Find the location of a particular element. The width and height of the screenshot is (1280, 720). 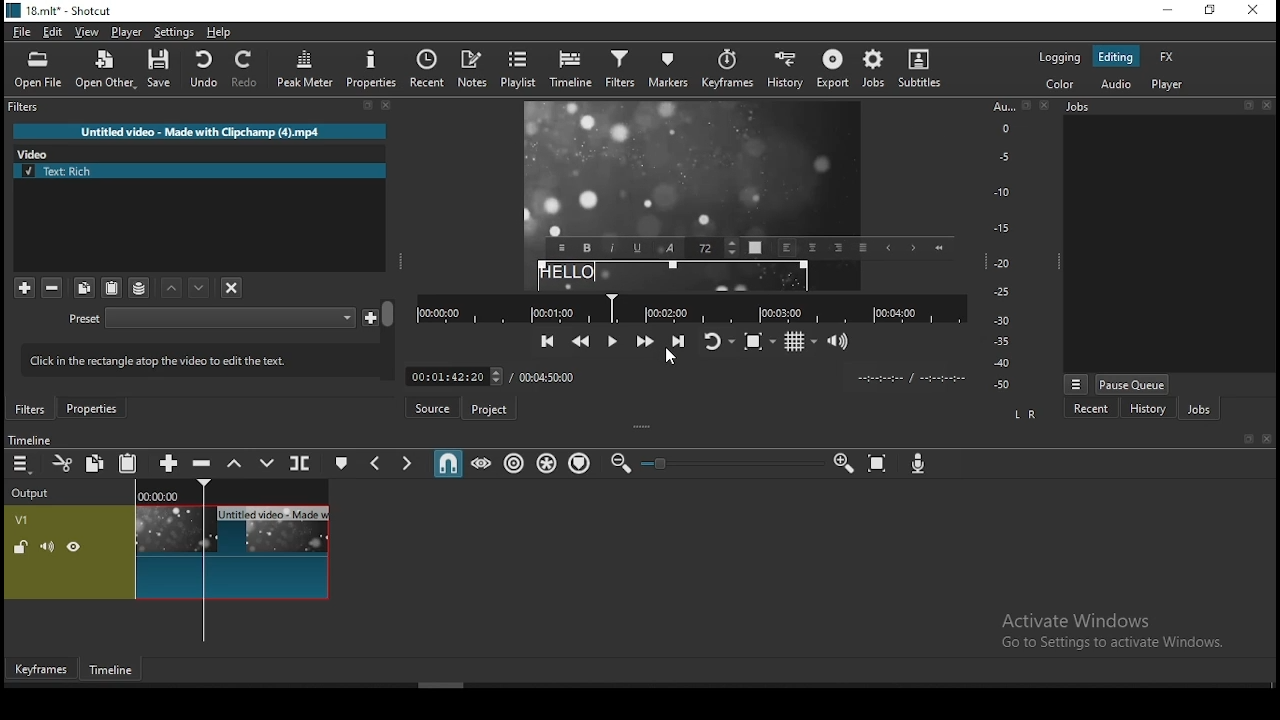

Save custom preset is located at coordinates (371, 316).